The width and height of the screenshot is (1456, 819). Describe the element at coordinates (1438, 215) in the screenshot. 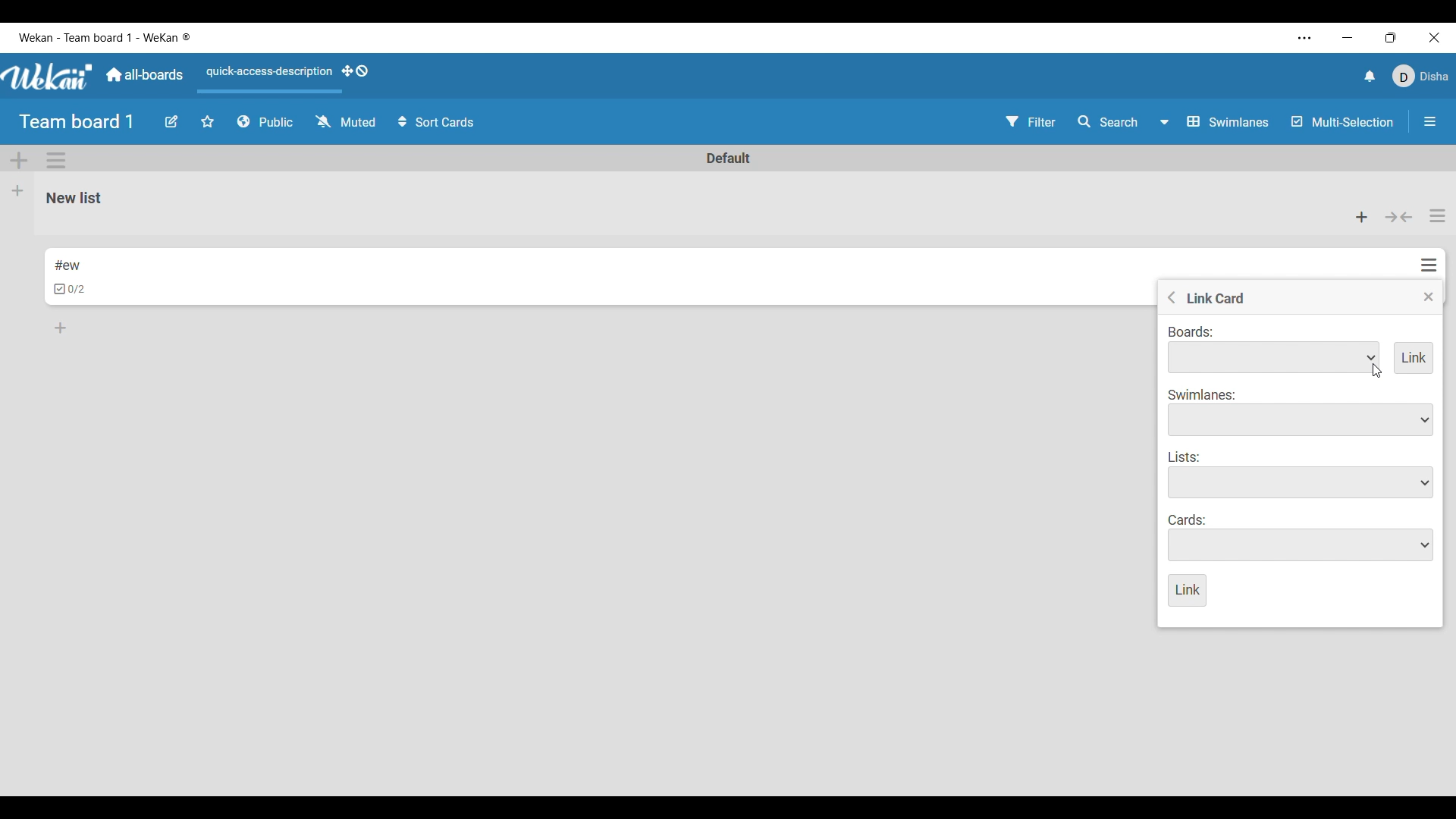

I see `List actions` at that location.